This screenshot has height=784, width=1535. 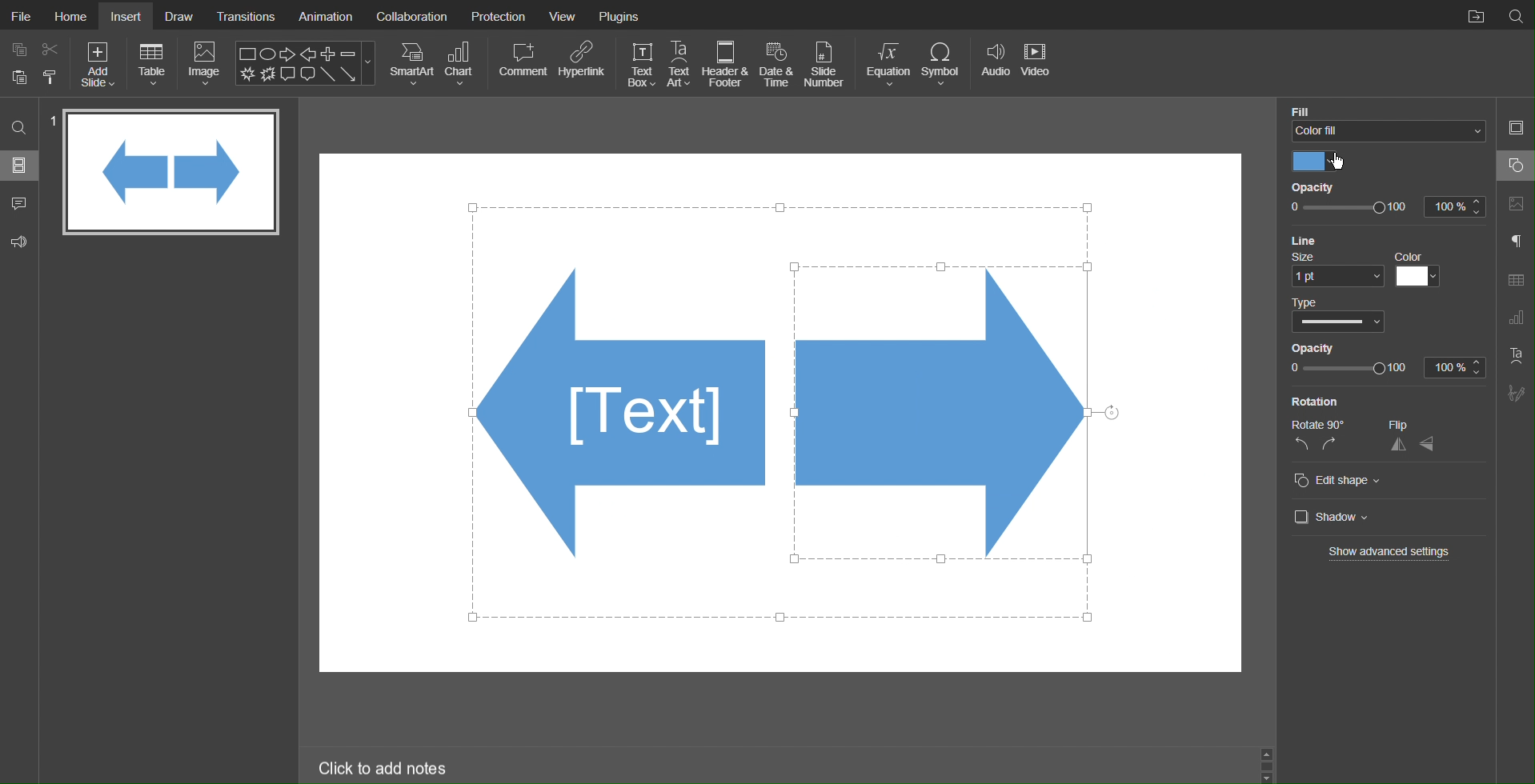 What do you see at coordinates (828, 63) in the screenshot?
I see `Slide Number` at bounding box center [828, 63].